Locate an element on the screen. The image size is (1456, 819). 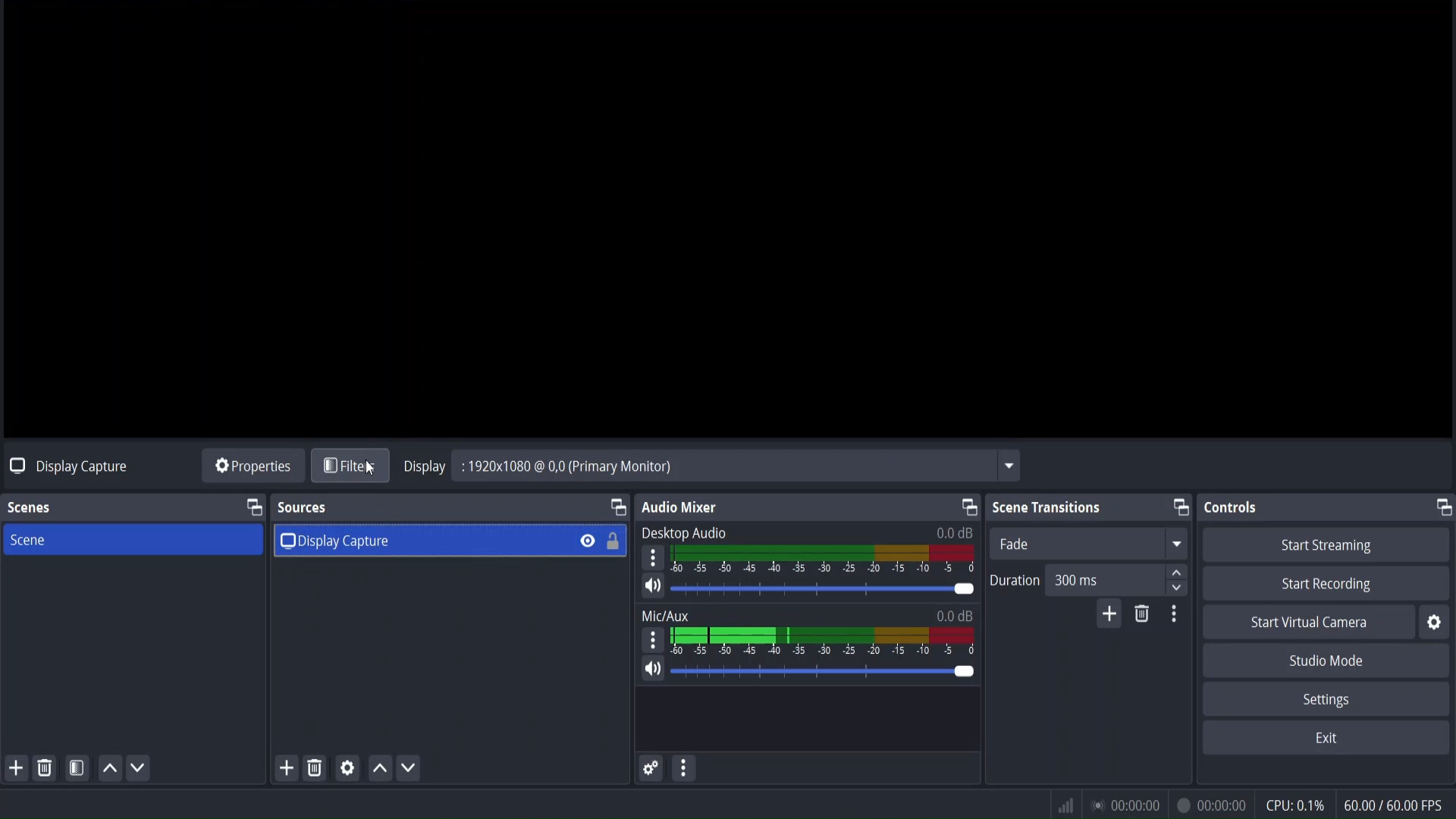
filters is located at coordinates (351, 467).